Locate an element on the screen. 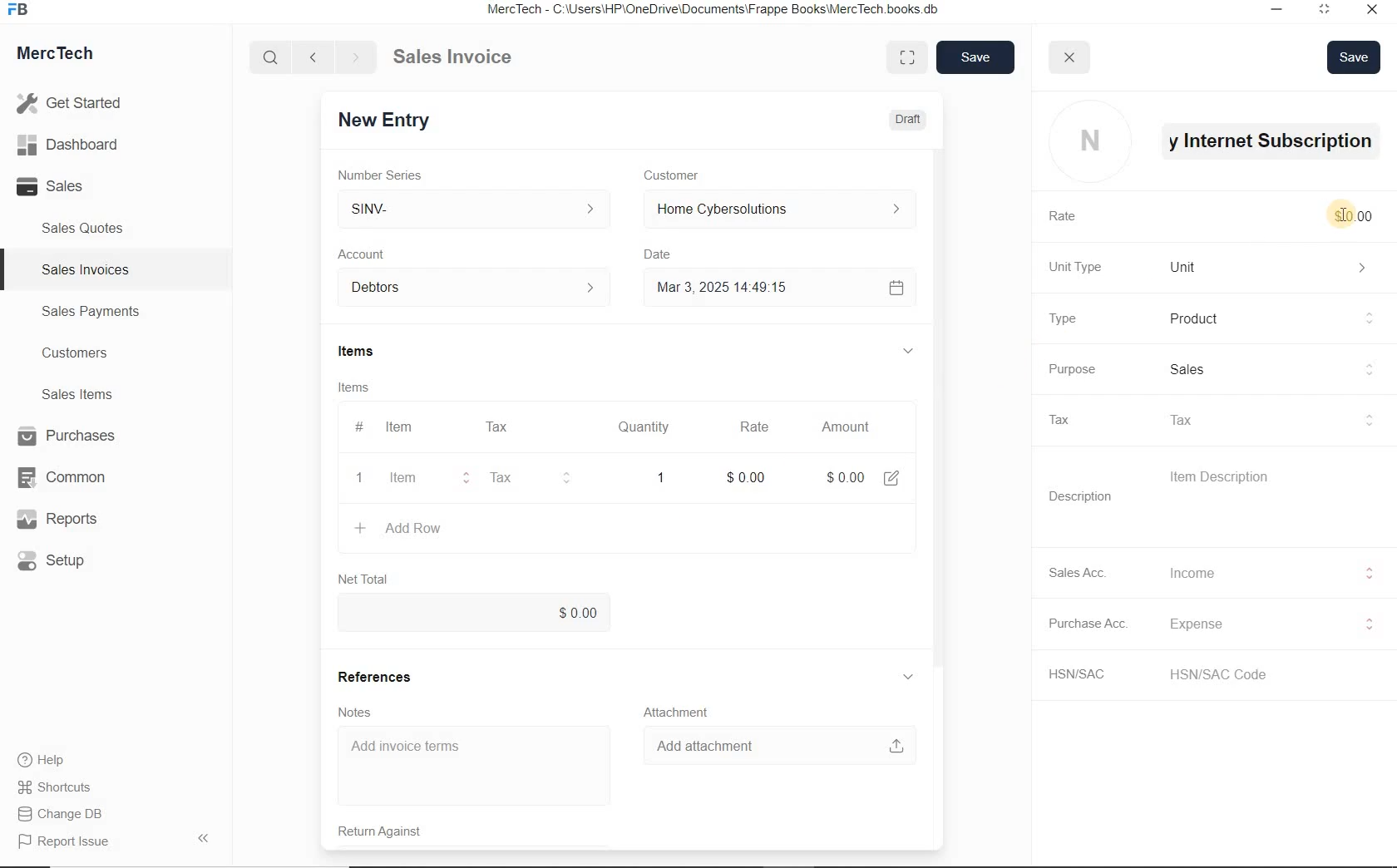  Rate is located at coordinates (753, 427).